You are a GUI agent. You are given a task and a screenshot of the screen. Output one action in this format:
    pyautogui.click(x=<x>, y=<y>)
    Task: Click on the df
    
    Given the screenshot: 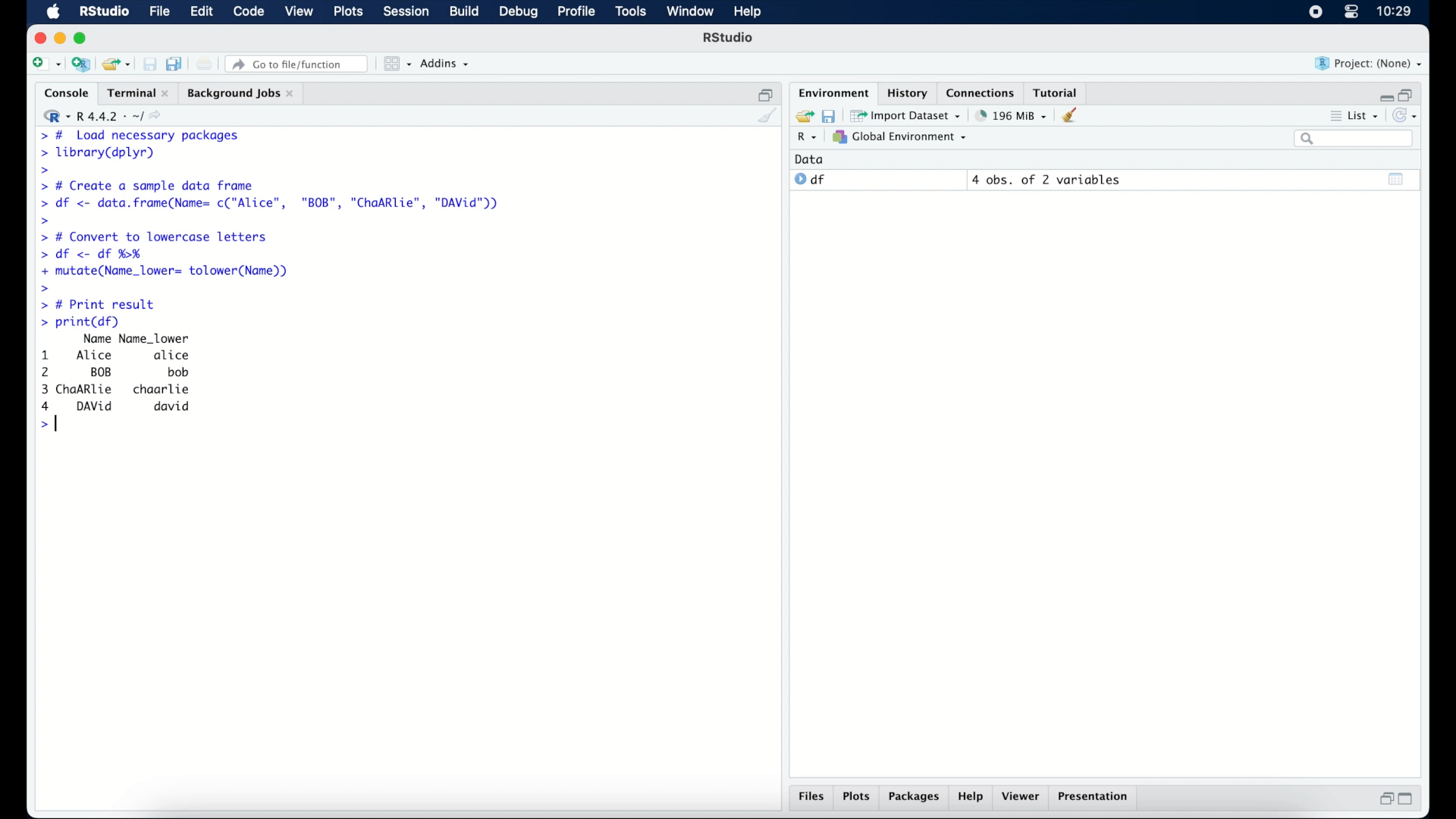 What is the action you would take?
    pyautogui.click(x=810, y=180)
    